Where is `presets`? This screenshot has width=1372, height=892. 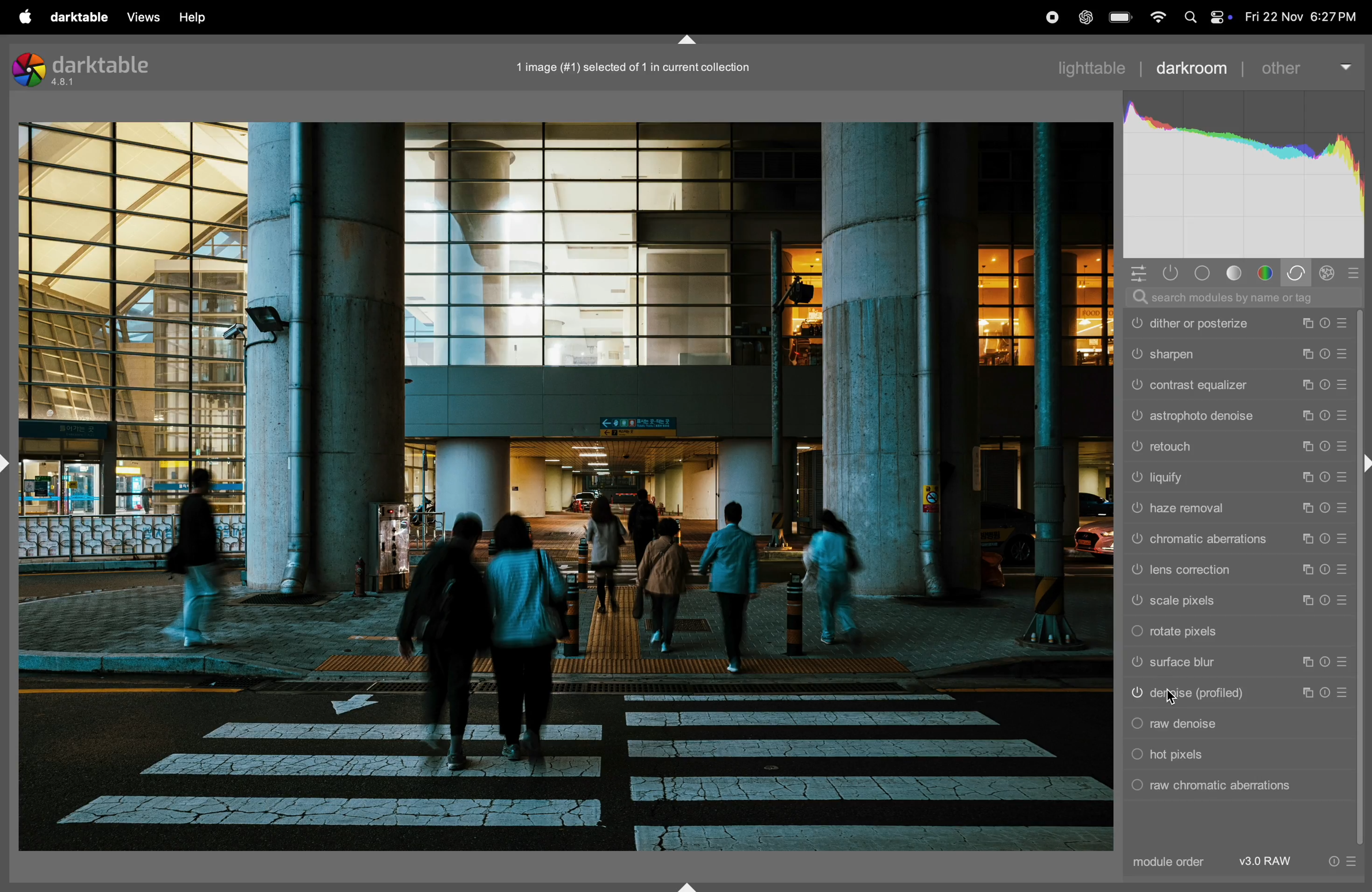
presets is located at coordinates (1354, 274).